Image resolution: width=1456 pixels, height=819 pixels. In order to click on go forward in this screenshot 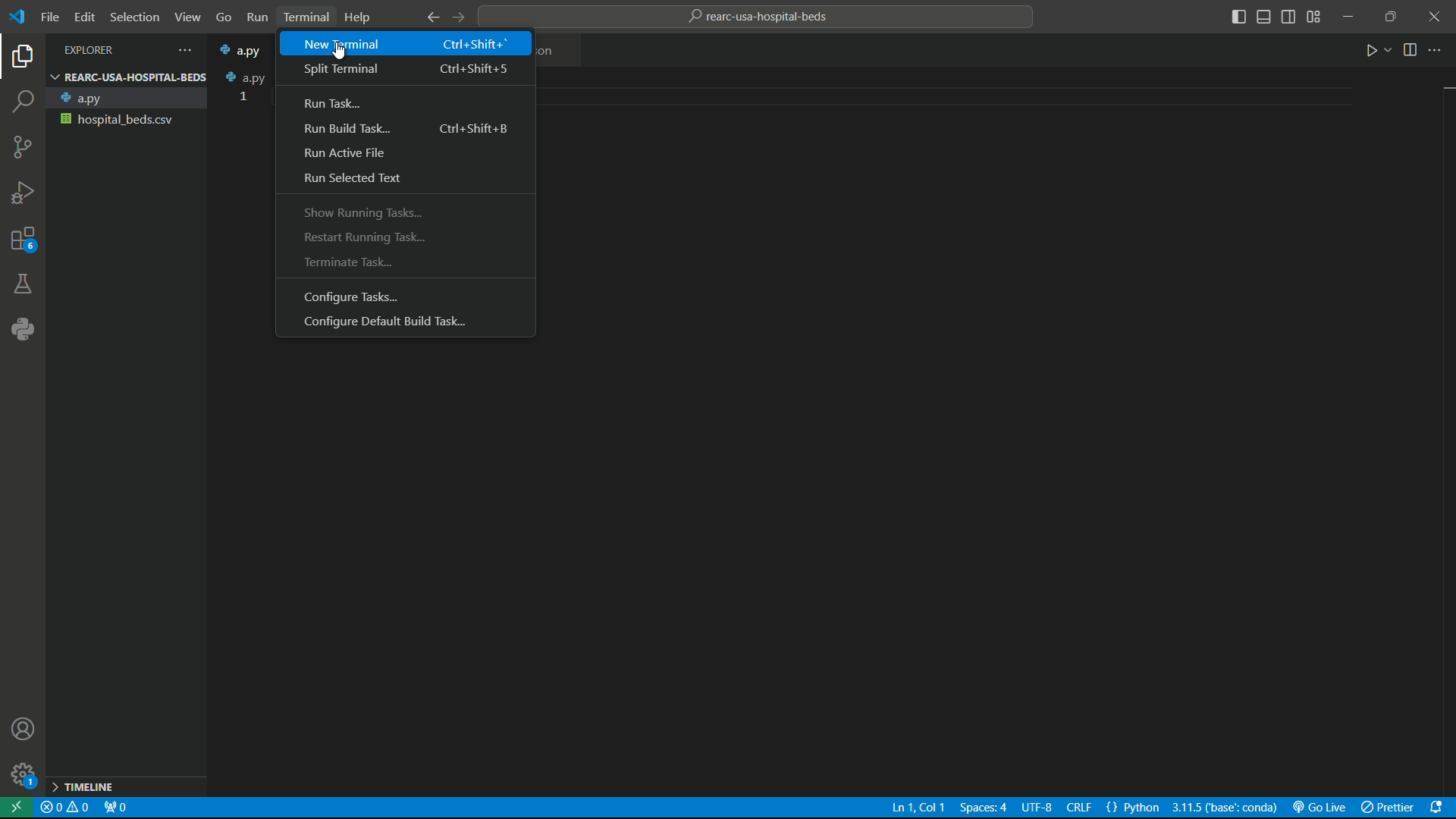, I will do `click(465, 17)`.